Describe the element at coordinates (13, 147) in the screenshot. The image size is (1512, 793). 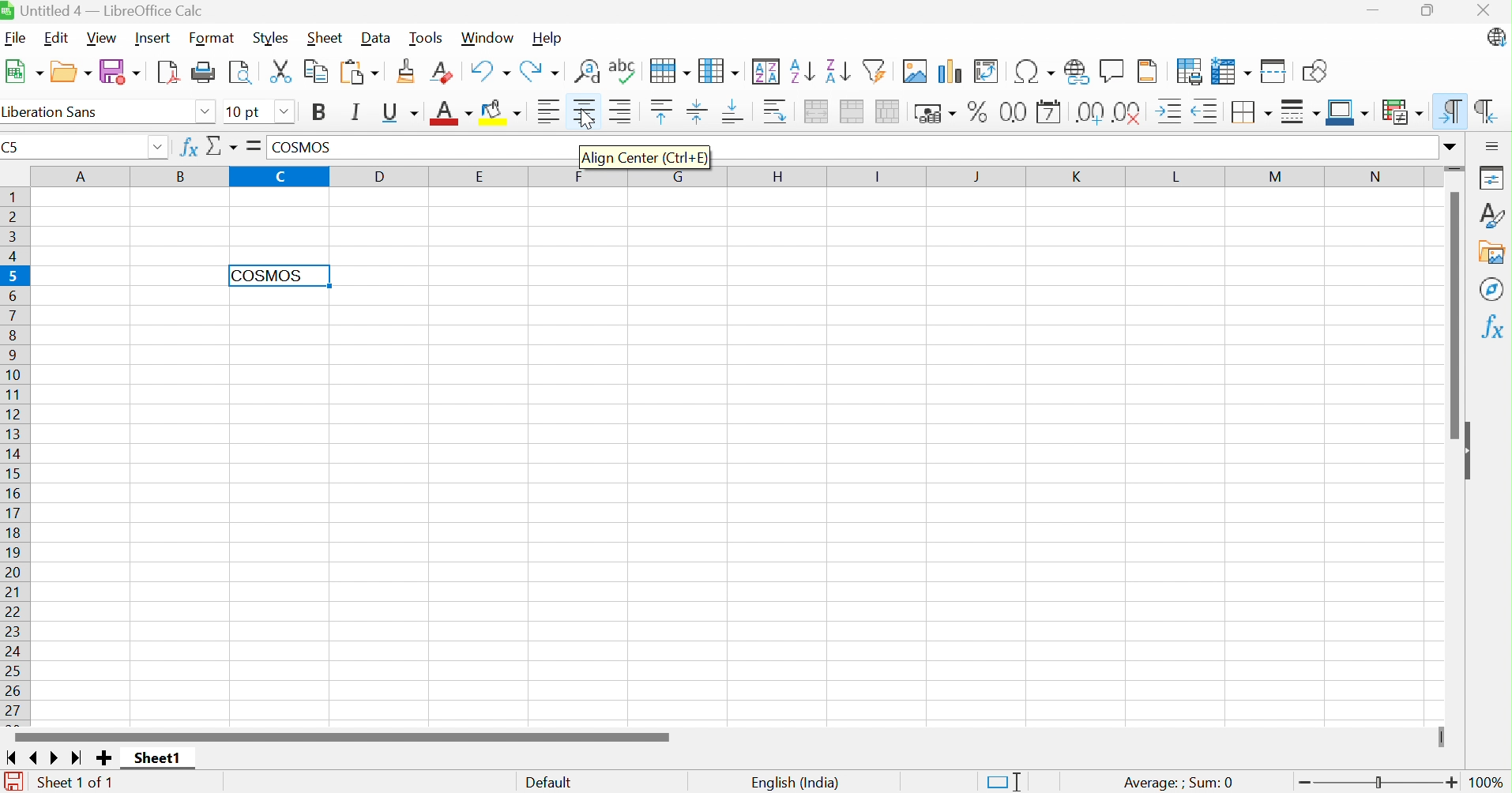
I see `C5` at that location.